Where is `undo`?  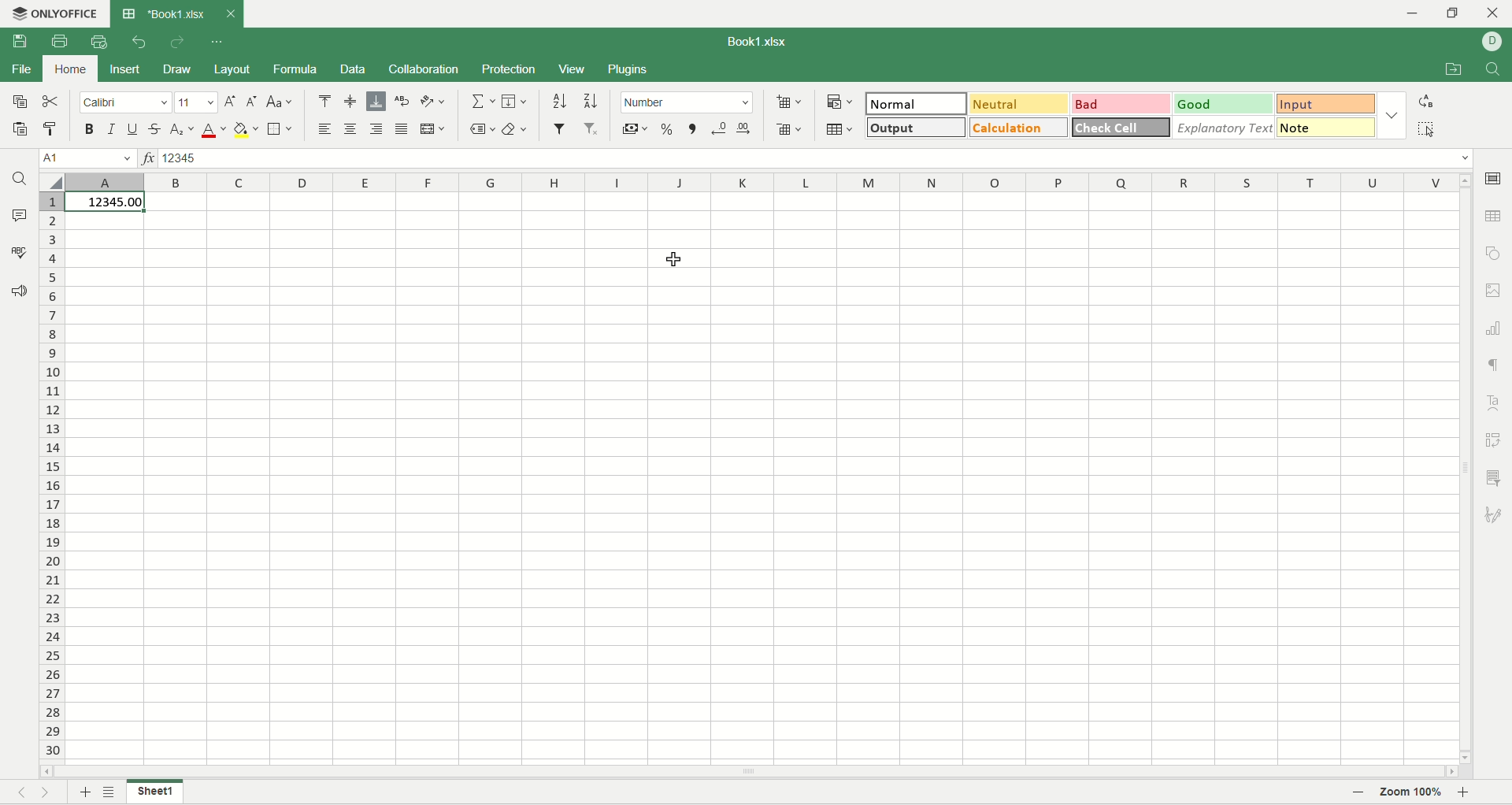 undo is located at coordinates (141, 43).